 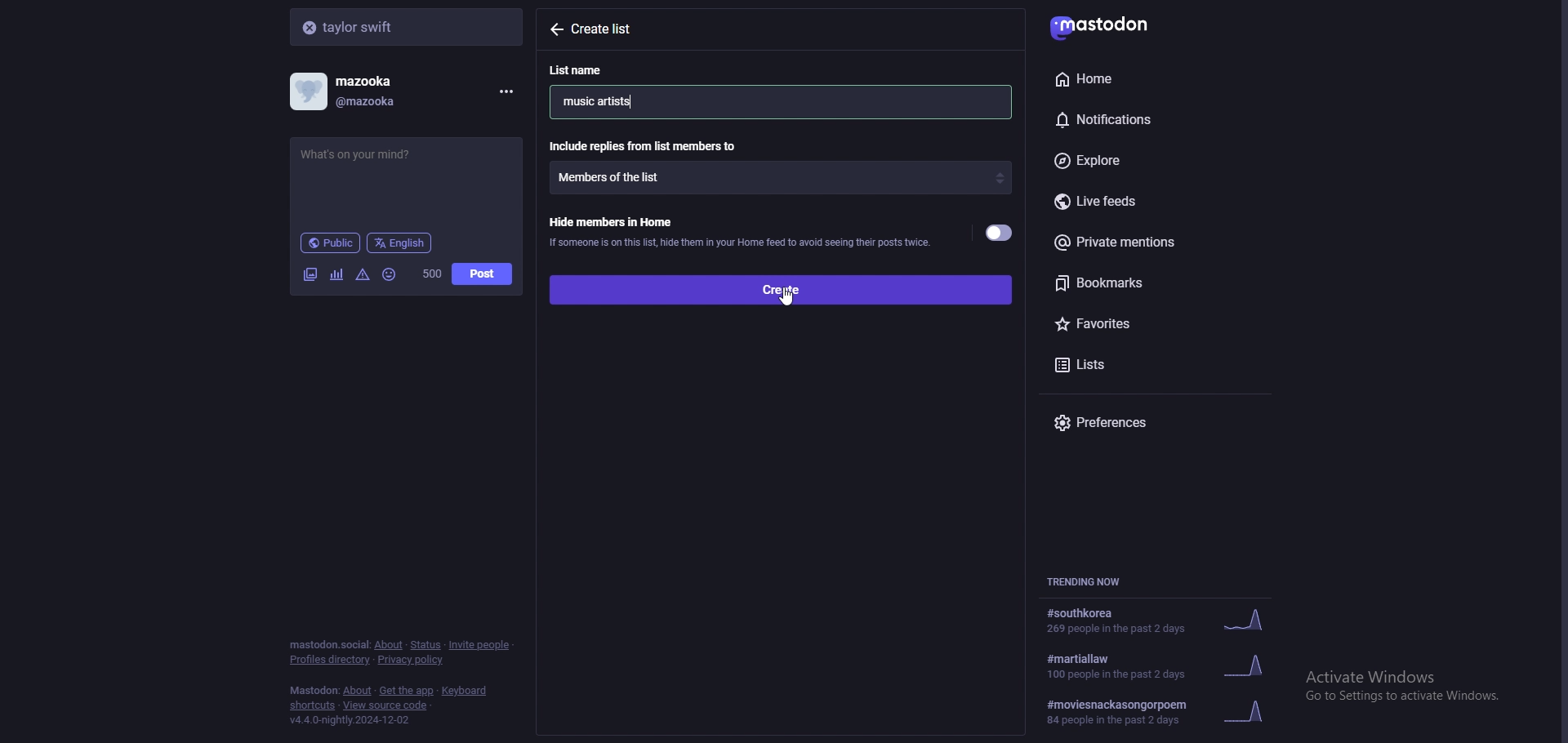 I want to click on trending, so click(x=1168, y=665).